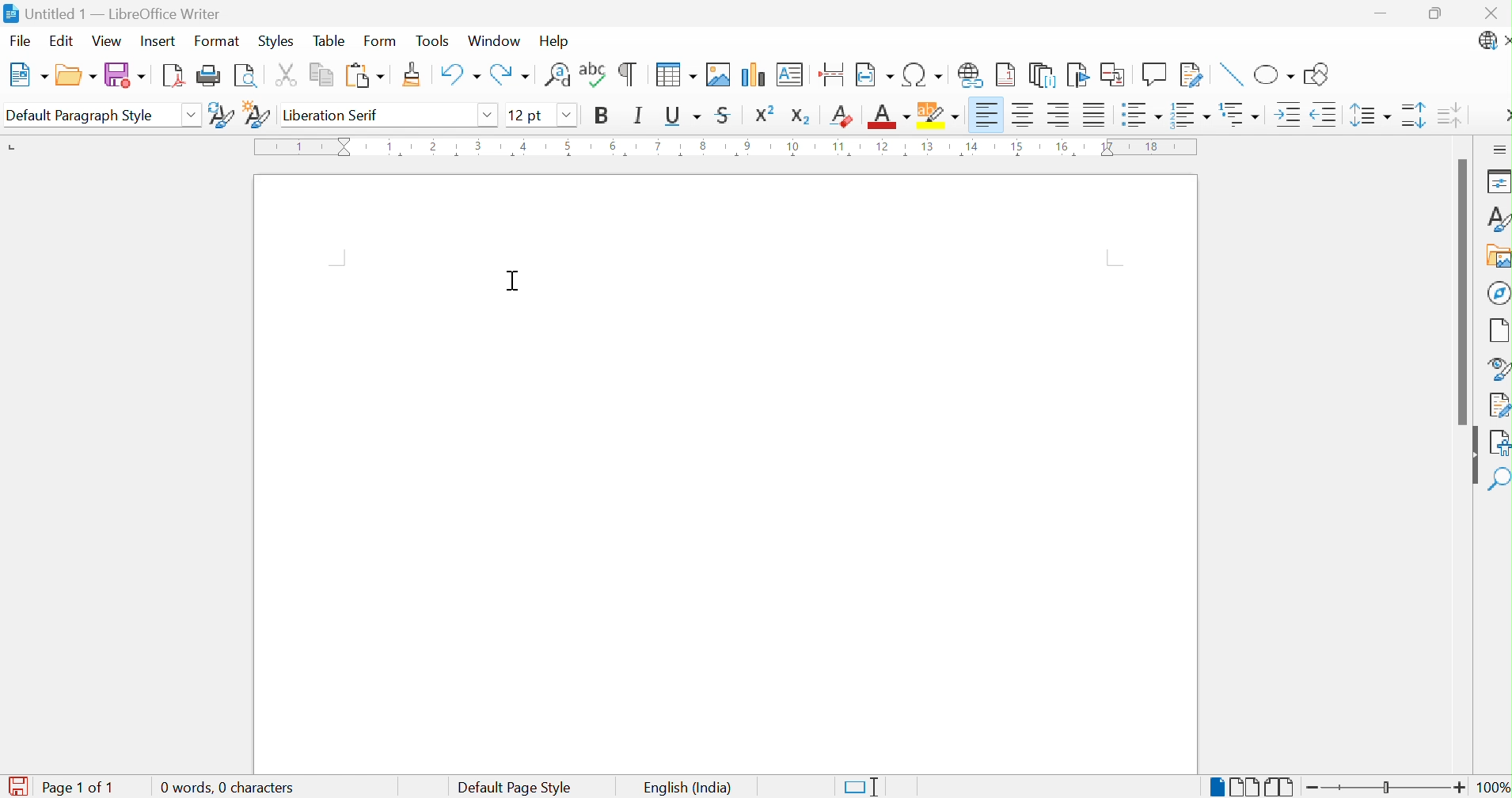  What do you see at coordinates (1281, 785) in the screenshot?
I see `Book View` at bounding box center [1281, 785].